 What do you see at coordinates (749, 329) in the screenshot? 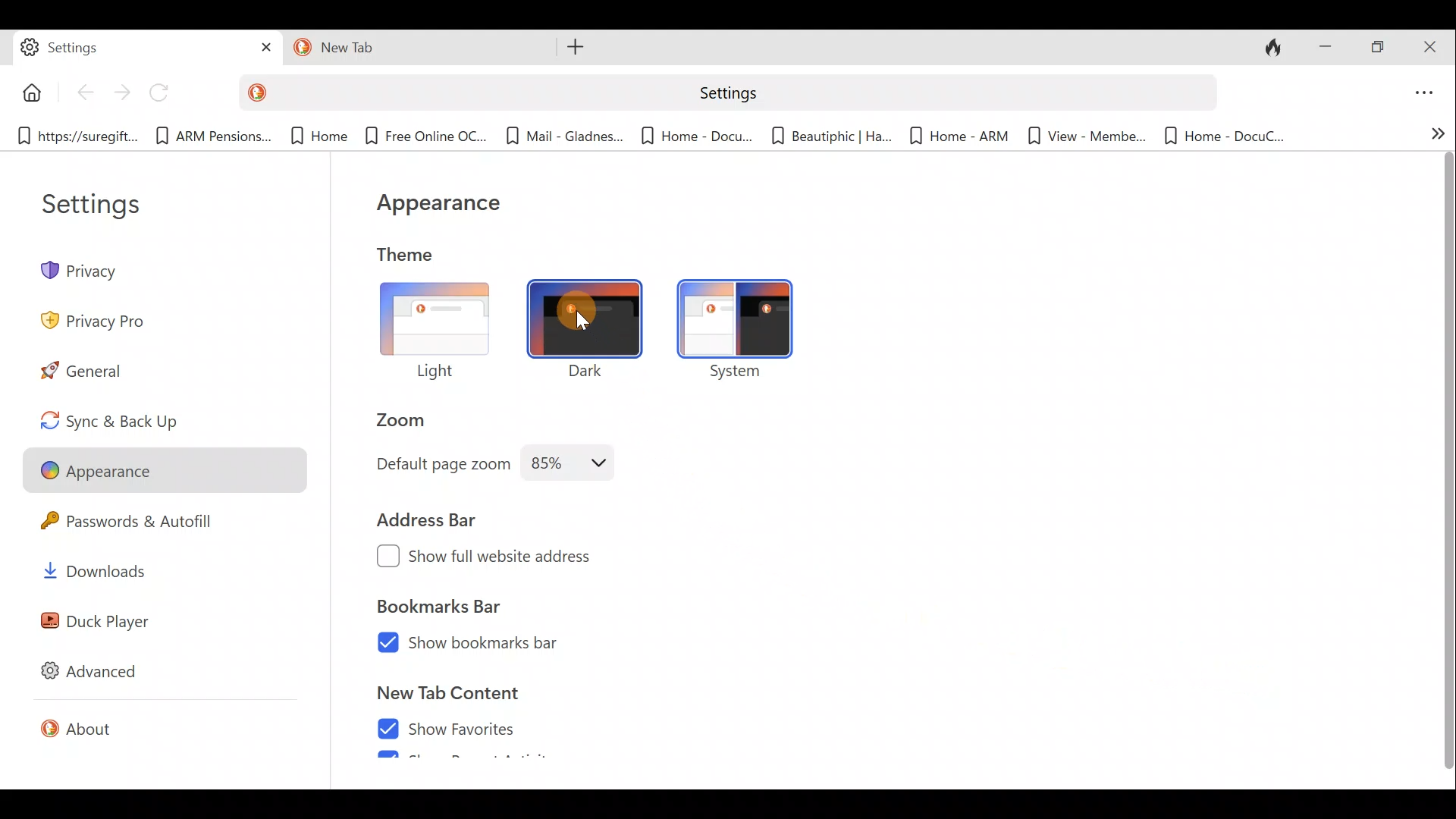
I see `System` at bounding box center [749, 329].